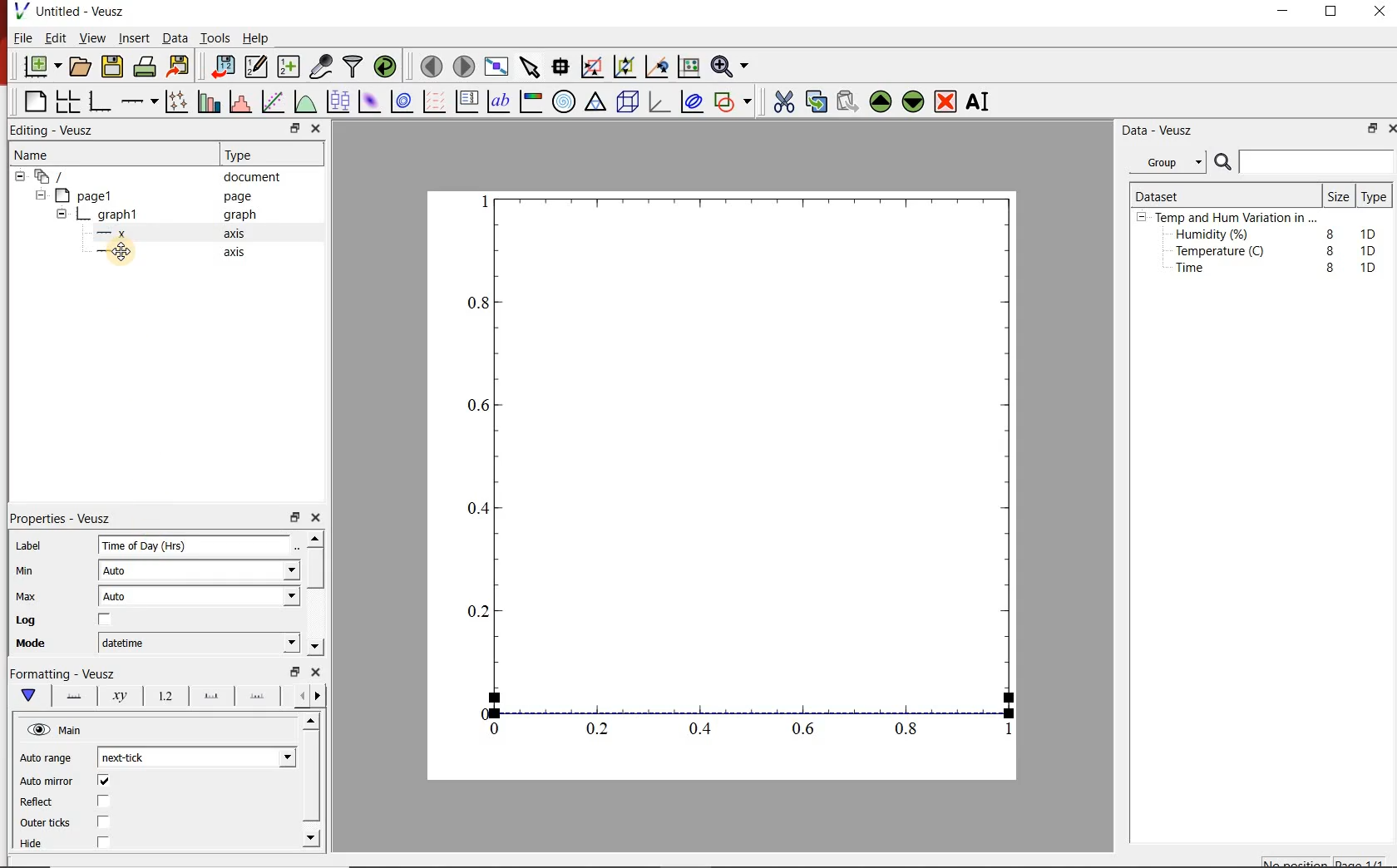 The width and height of the screenshot is (1397, 868). Describe the element at coordinates (75, 697) in the screenshot. I see `axis line` at that location.